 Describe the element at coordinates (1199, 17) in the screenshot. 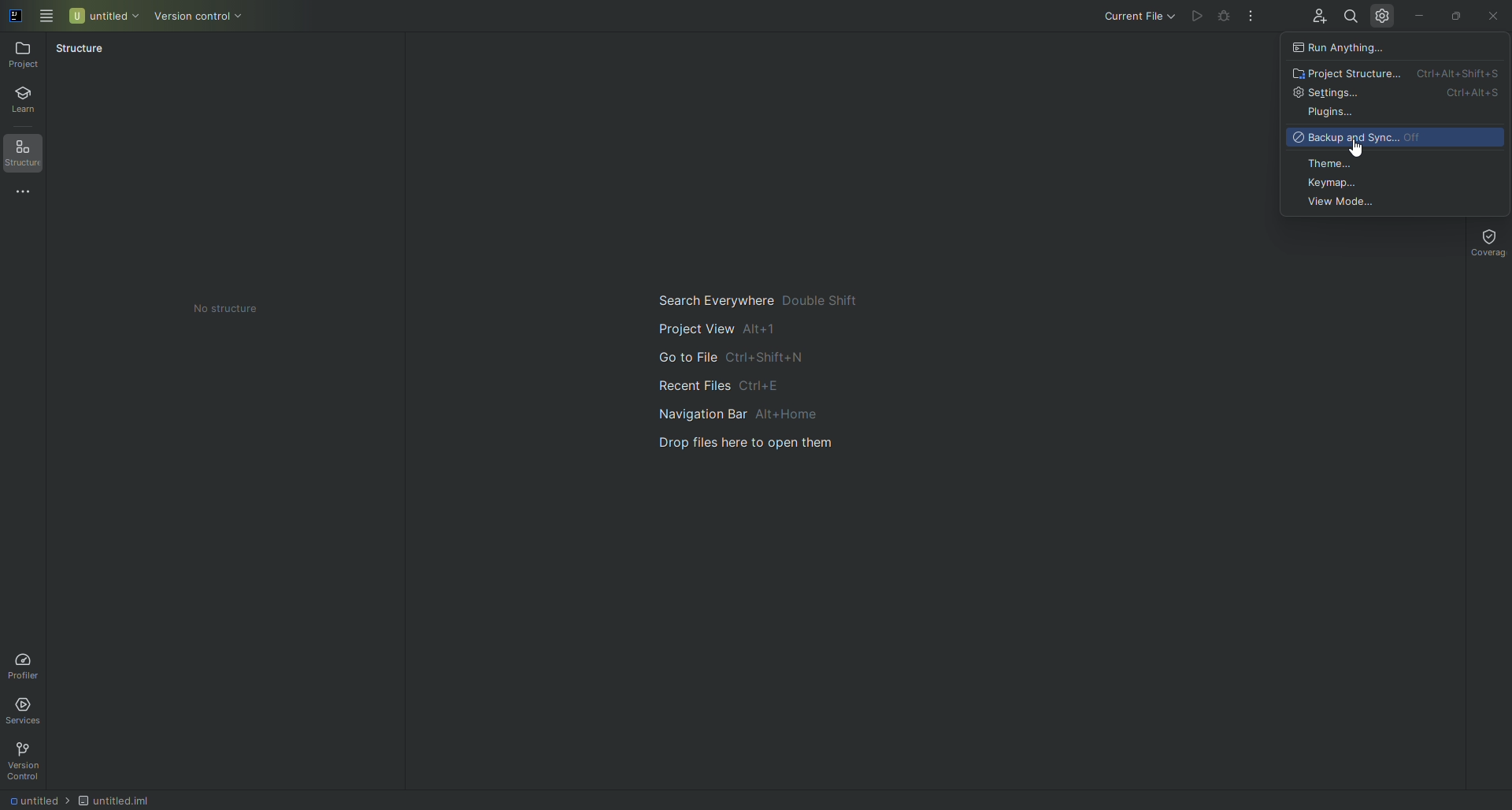

I see `Cannot run current file` at that location.